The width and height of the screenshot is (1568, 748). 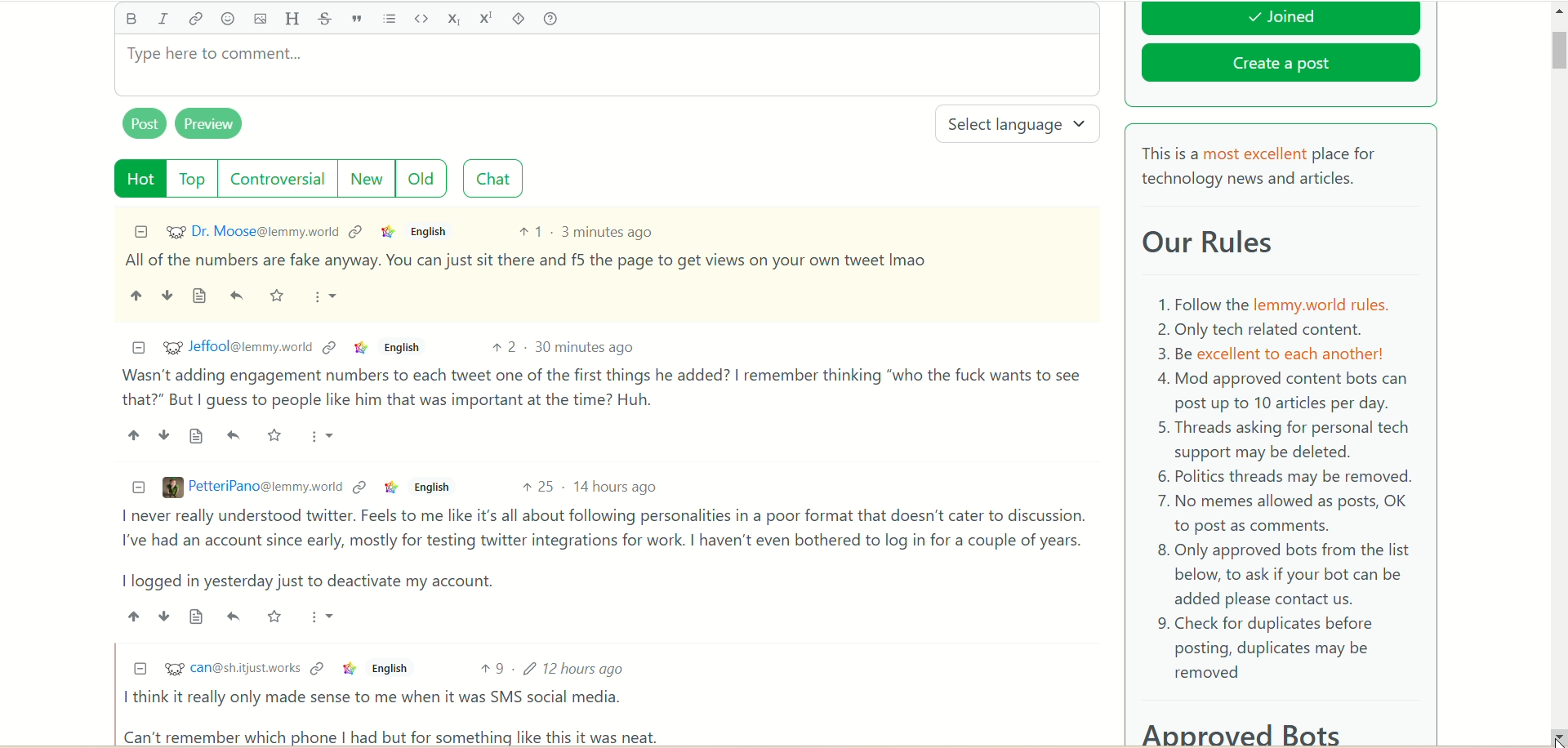 What do you see at coordinates (506, 347) in the screenshot?
I see `Upvote 2` at bounding box center [506, 347].